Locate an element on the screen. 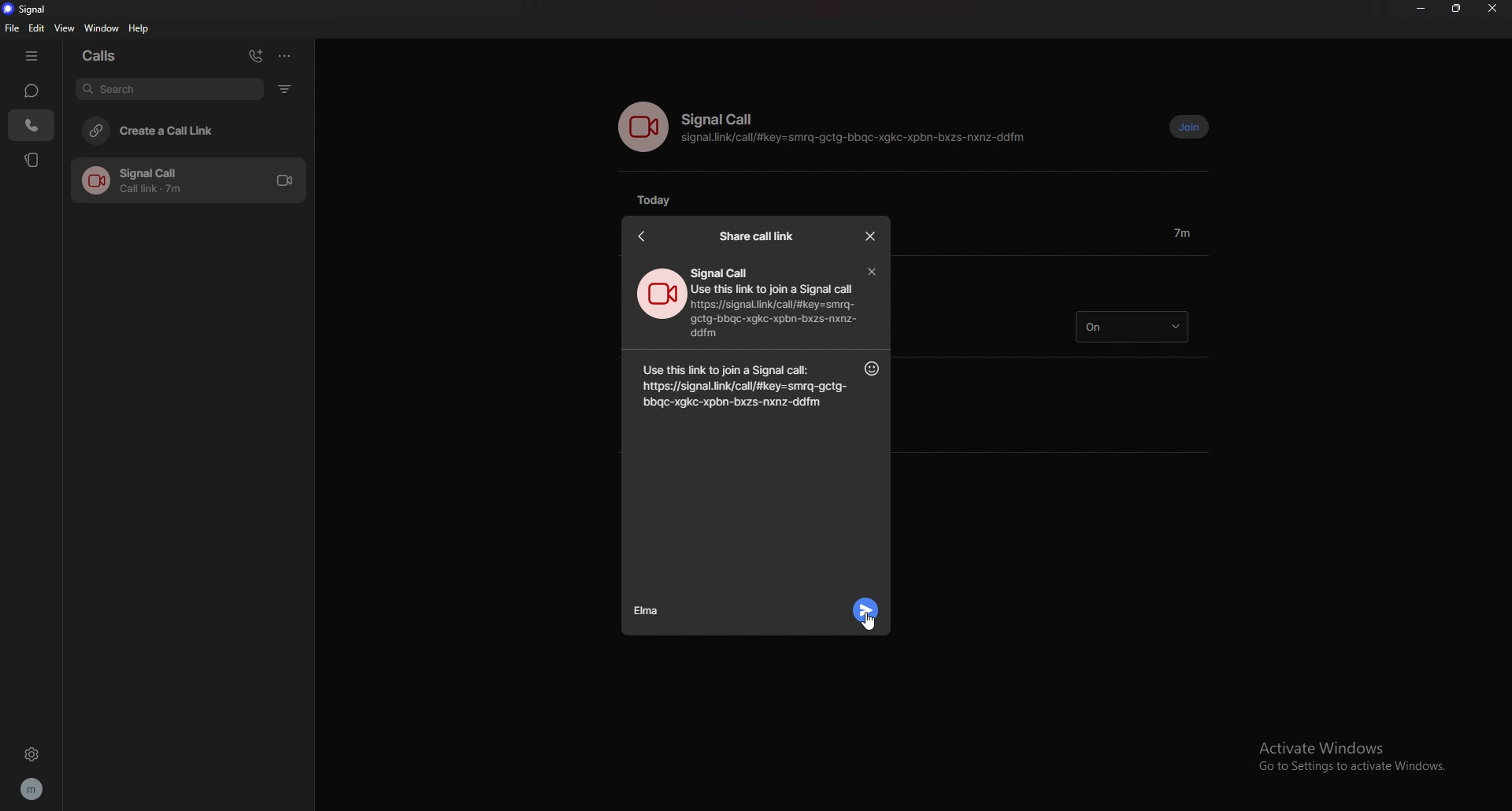 This screenshot has width=1512, height=811. close is located at coordinates (871, 238).